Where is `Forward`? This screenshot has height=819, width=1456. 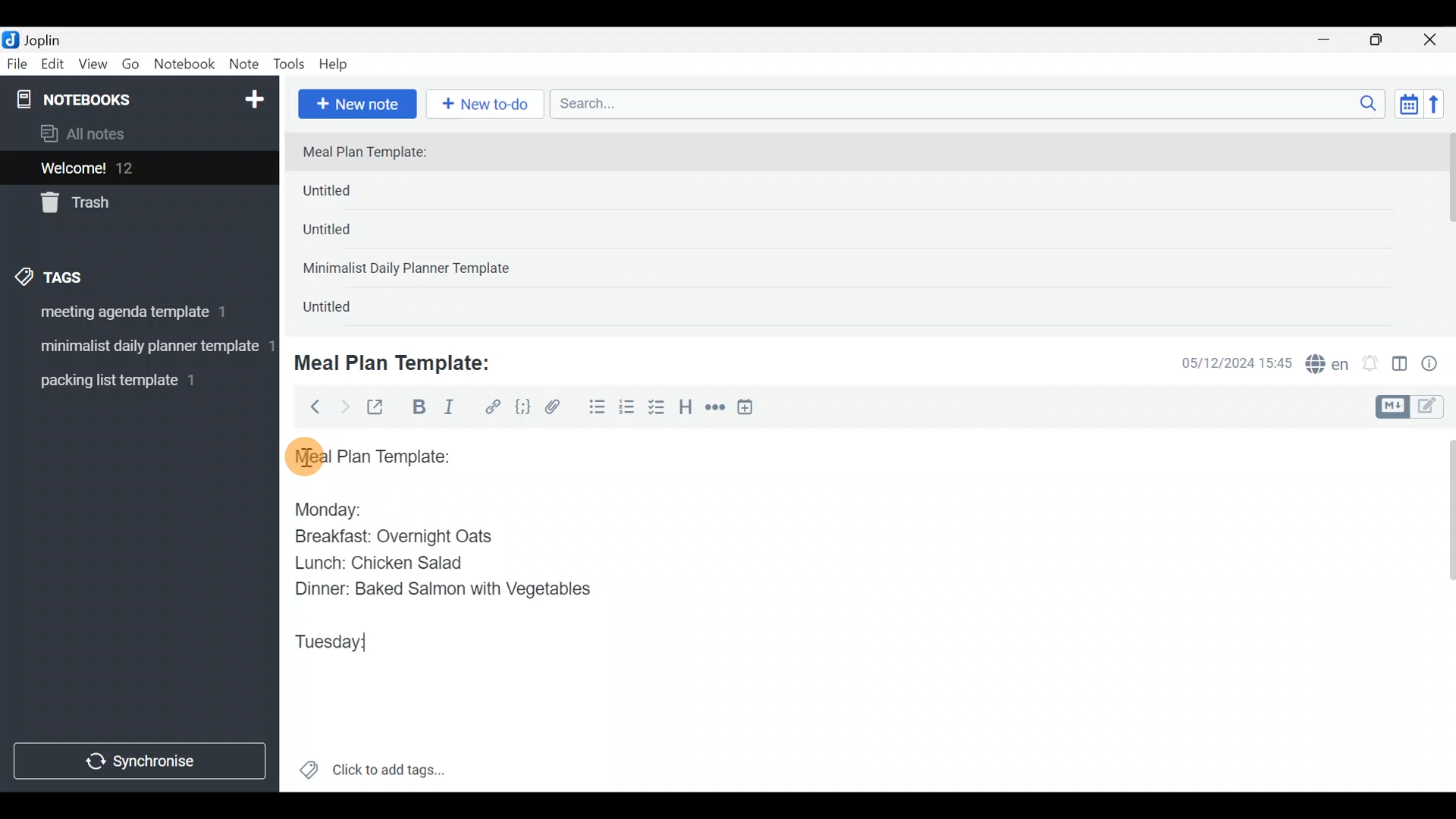
Forward is located at coordinates (344, 406).